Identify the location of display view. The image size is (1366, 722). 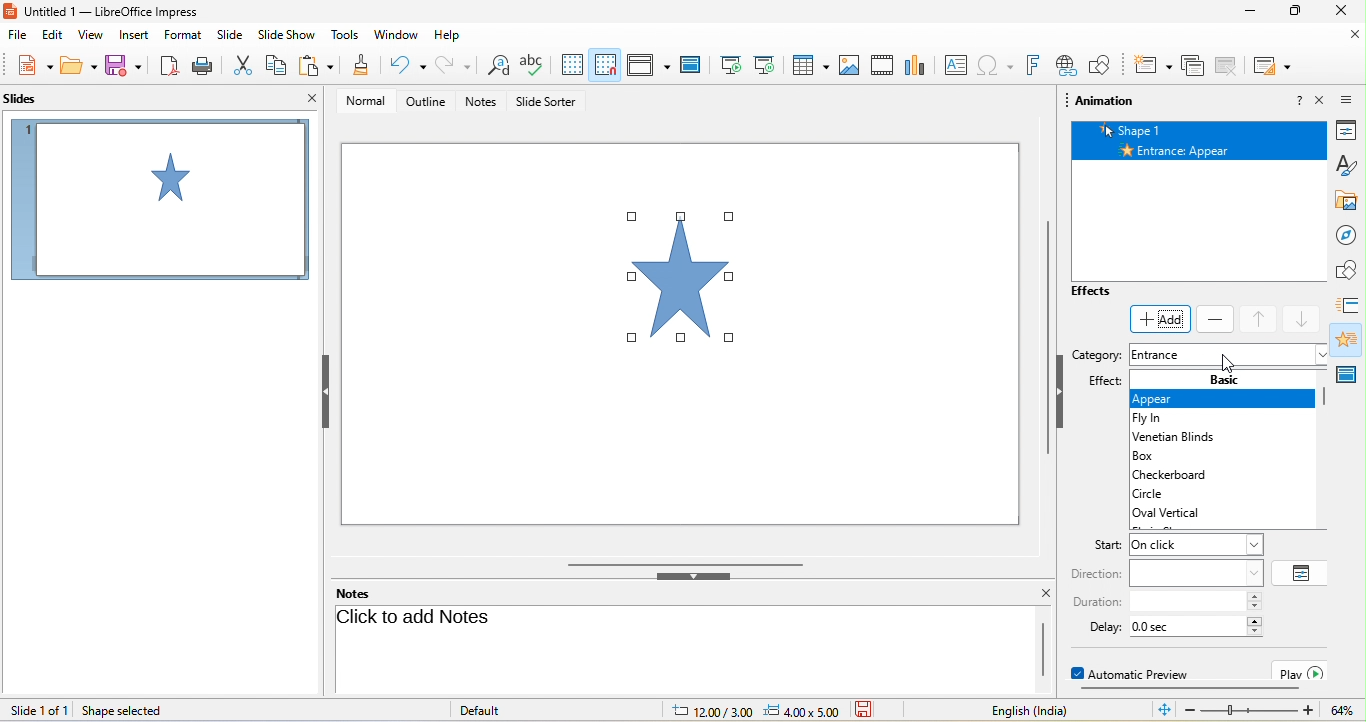
(646, 64).